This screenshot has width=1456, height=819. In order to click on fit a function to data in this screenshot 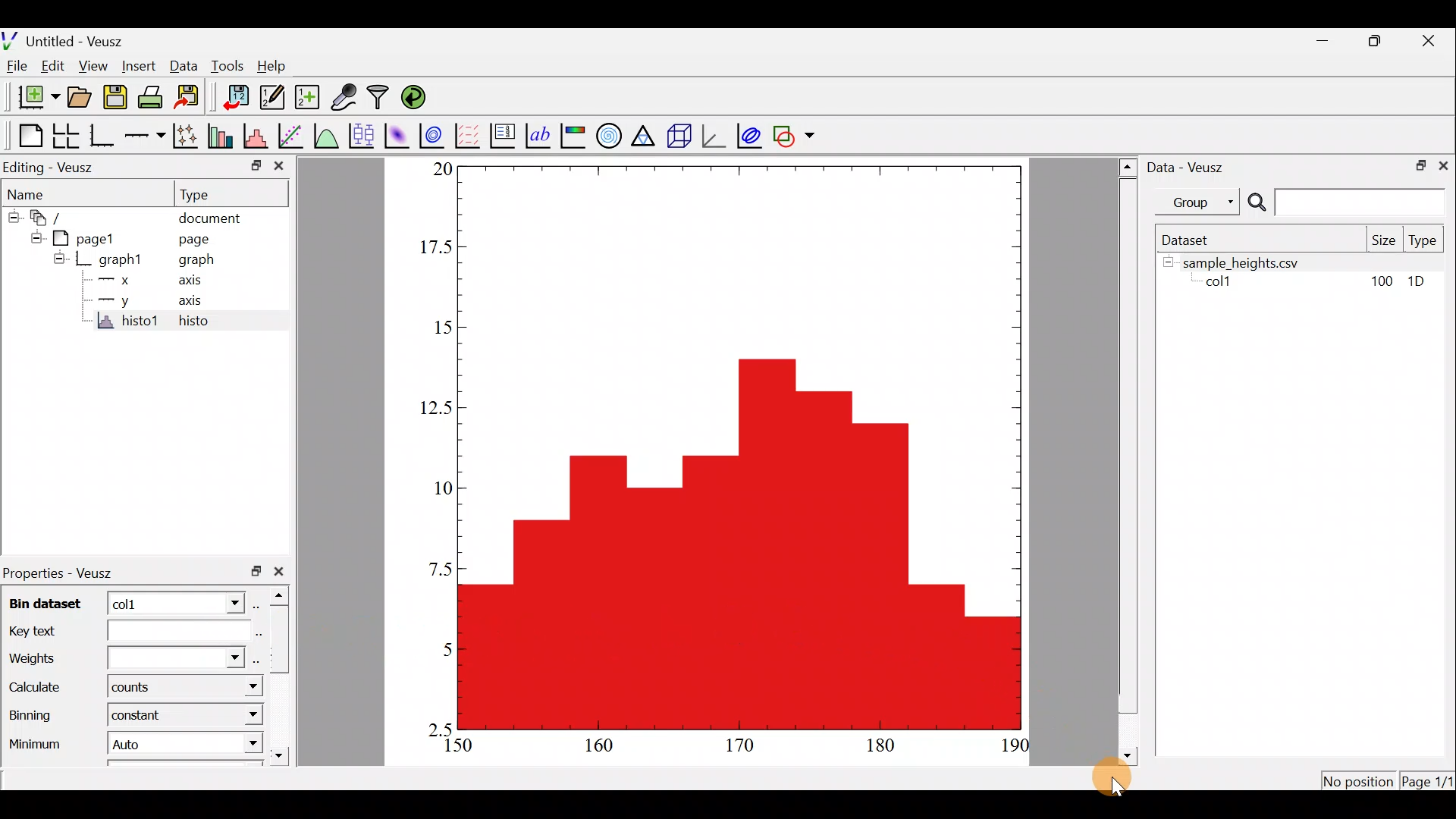, I will do `click(293, 136)`.